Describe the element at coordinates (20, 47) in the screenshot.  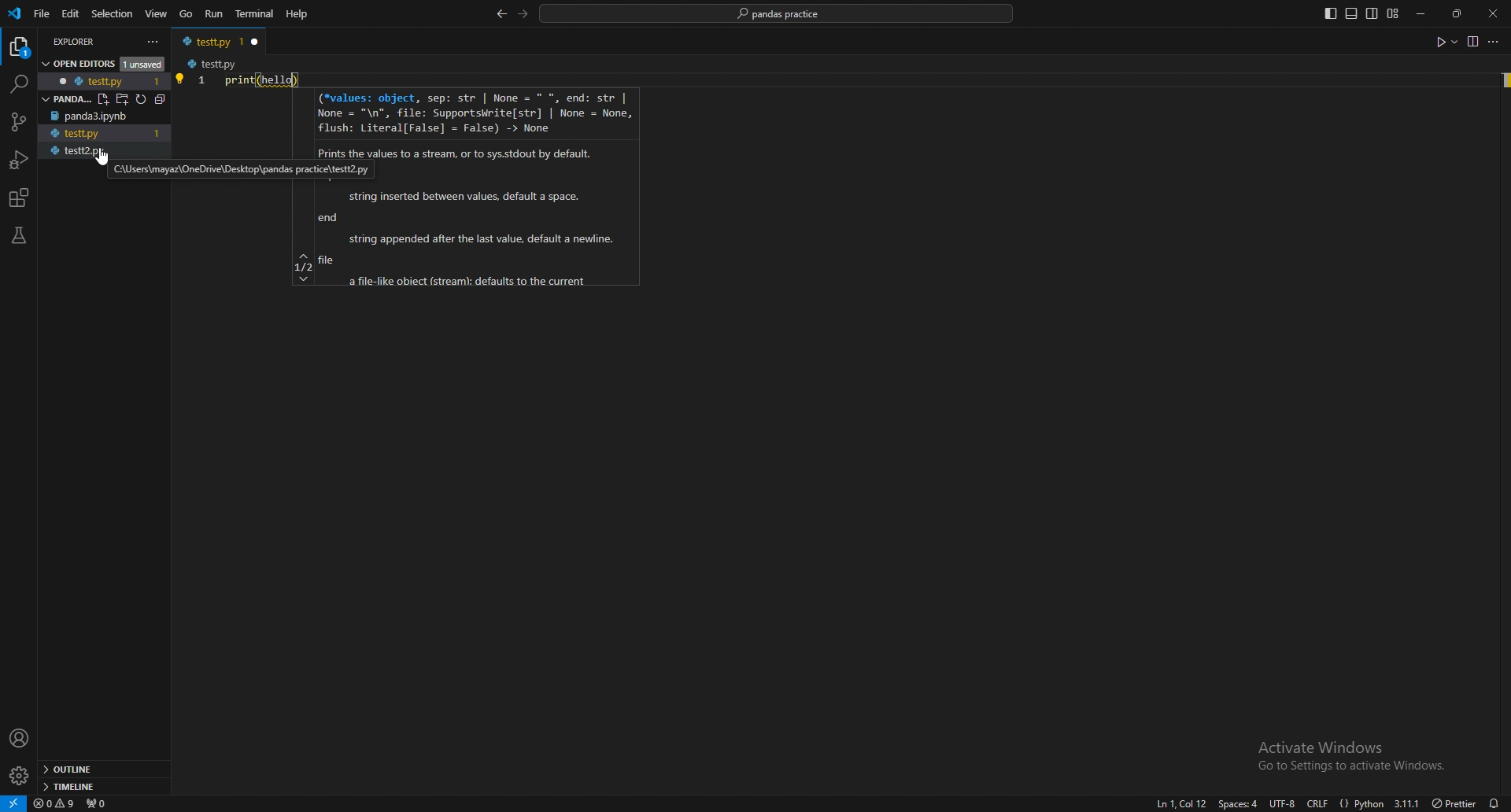
I see `explorer` at that location.